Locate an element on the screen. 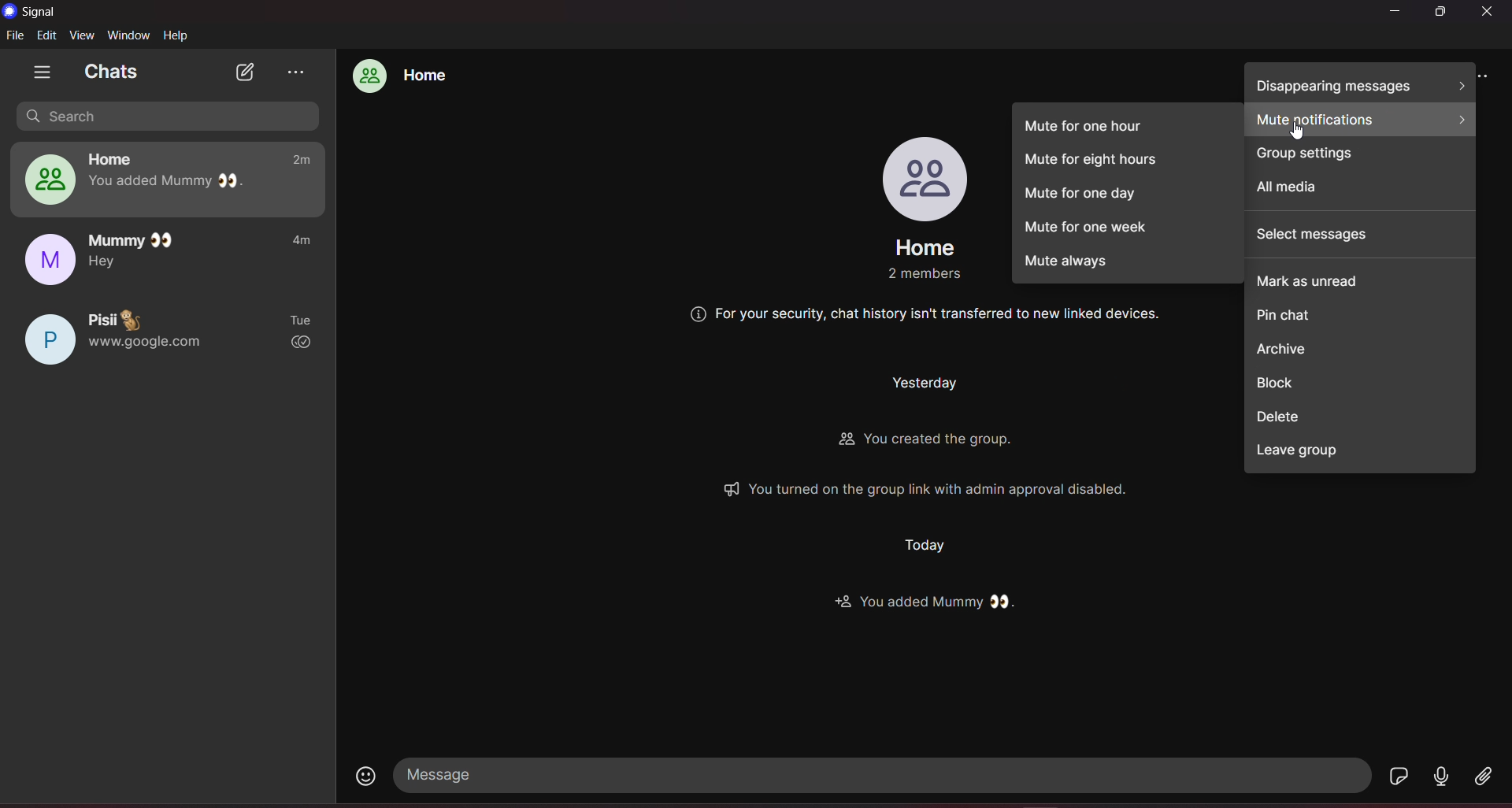 This screenshot has width=1512, height=808. mute for one week is located at coordinates (1126, 229).